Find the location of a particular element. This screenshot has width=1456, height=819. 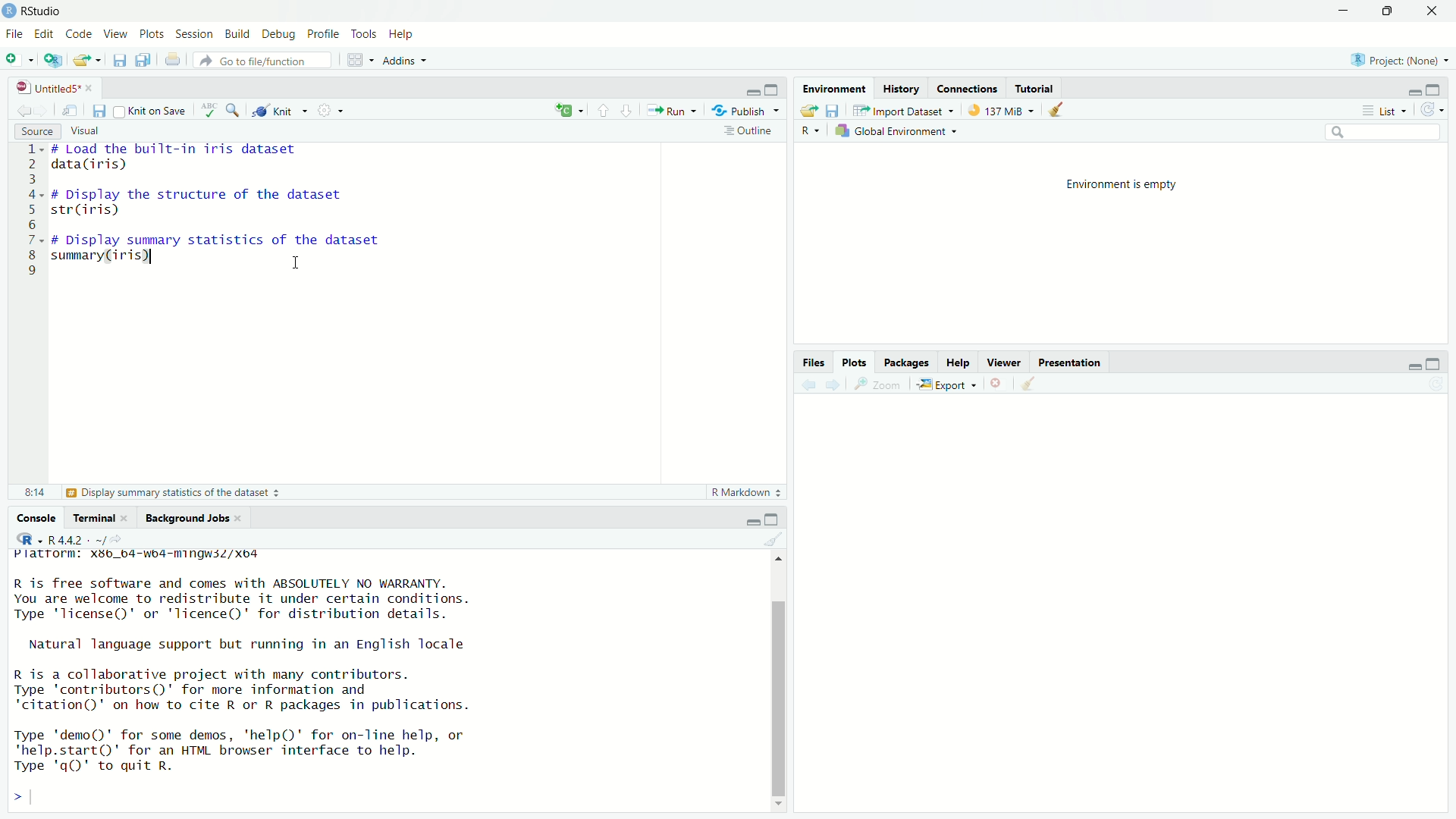

New Command is located at coordinates (570, 108).